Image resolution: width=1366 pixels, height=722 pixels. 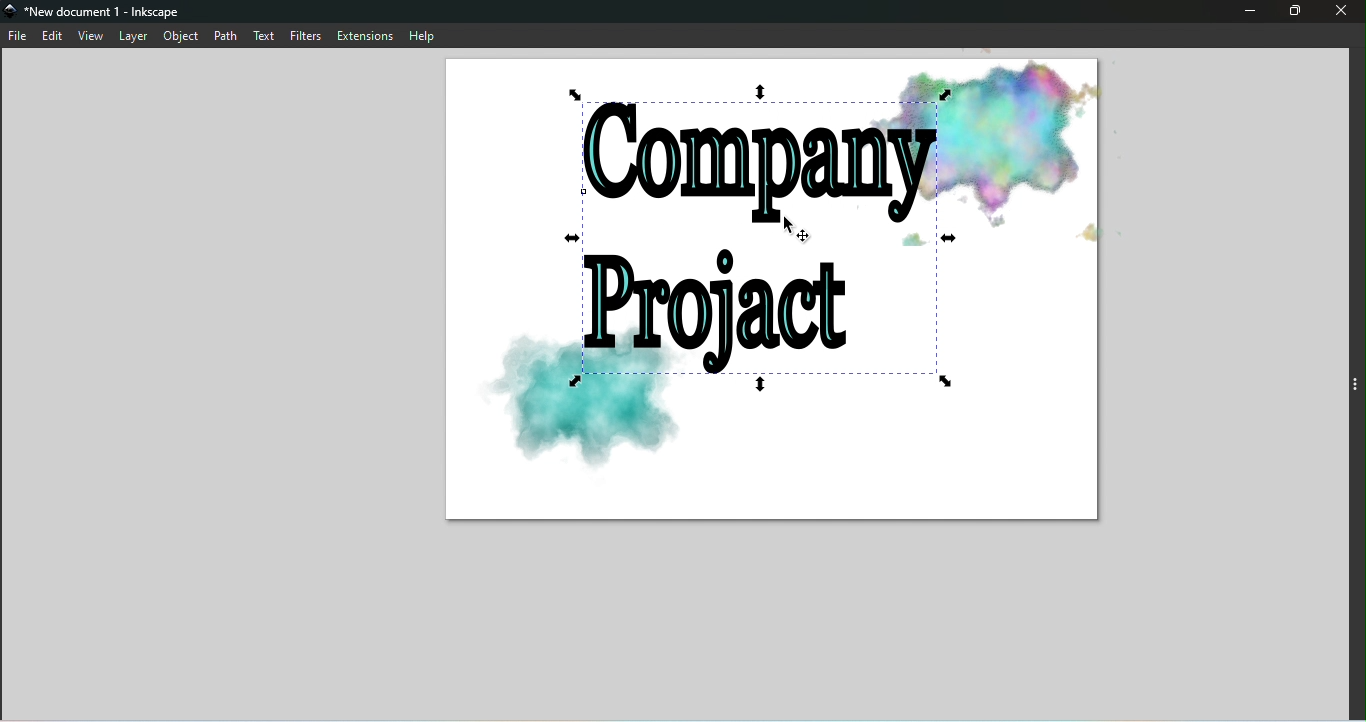 I want to click on Edit, so click(x=53, y=36).